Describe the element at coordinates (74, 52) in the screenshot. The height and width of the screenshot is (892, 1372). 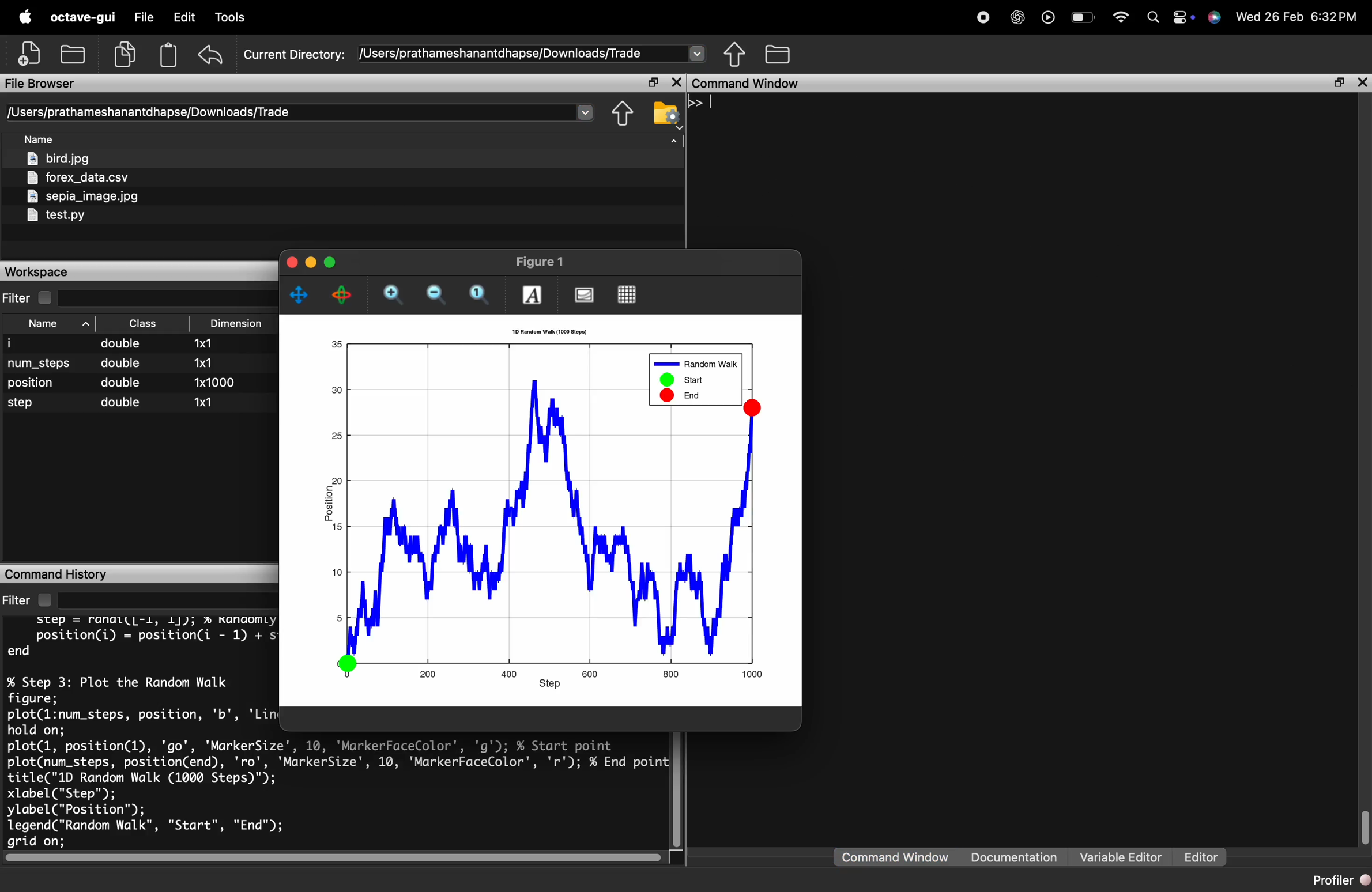
I see `open an existing file in editor` at that location.